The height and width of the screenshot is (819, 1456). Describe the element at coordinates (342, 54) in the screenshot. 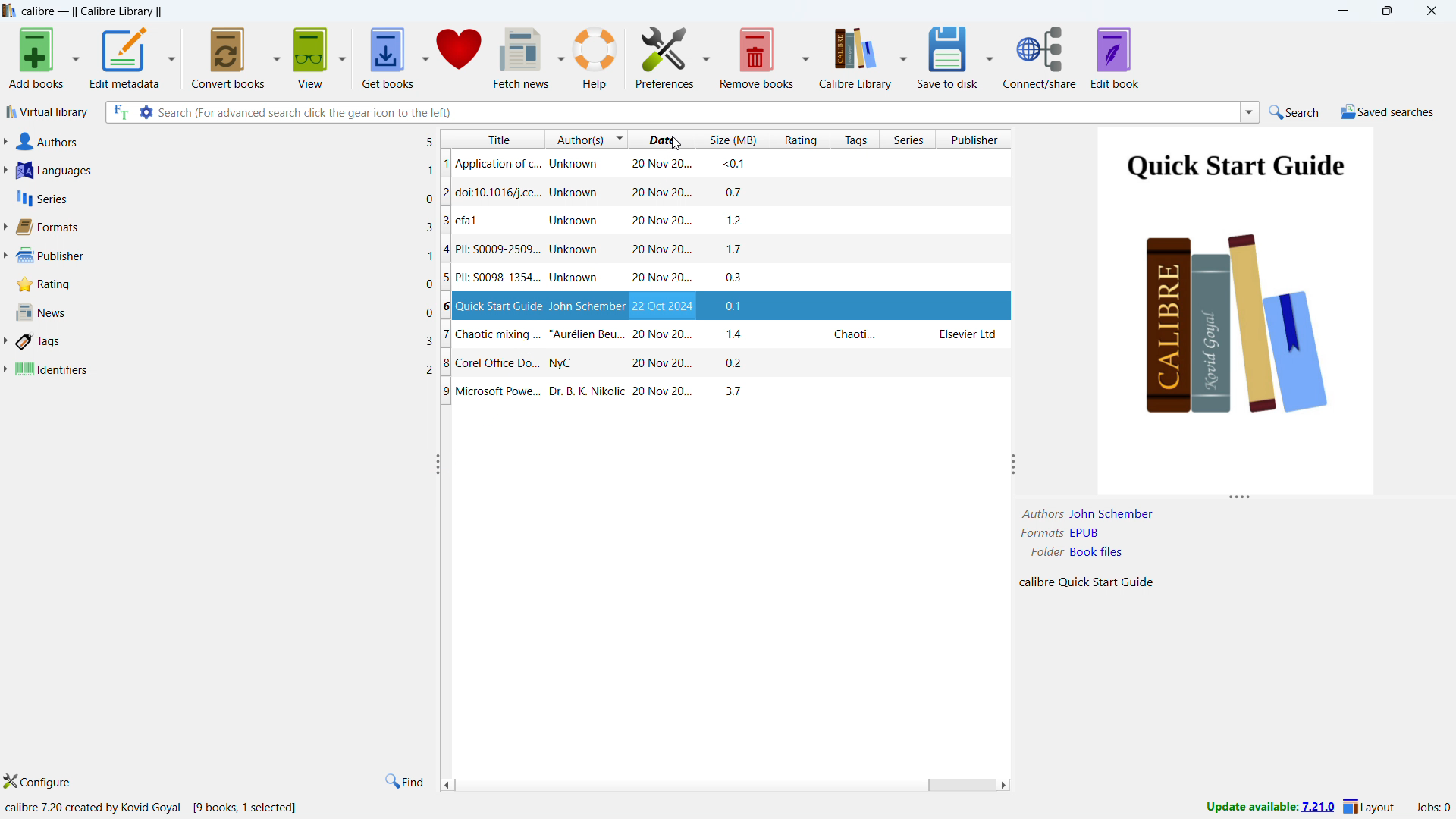

I see `view options` at that location.